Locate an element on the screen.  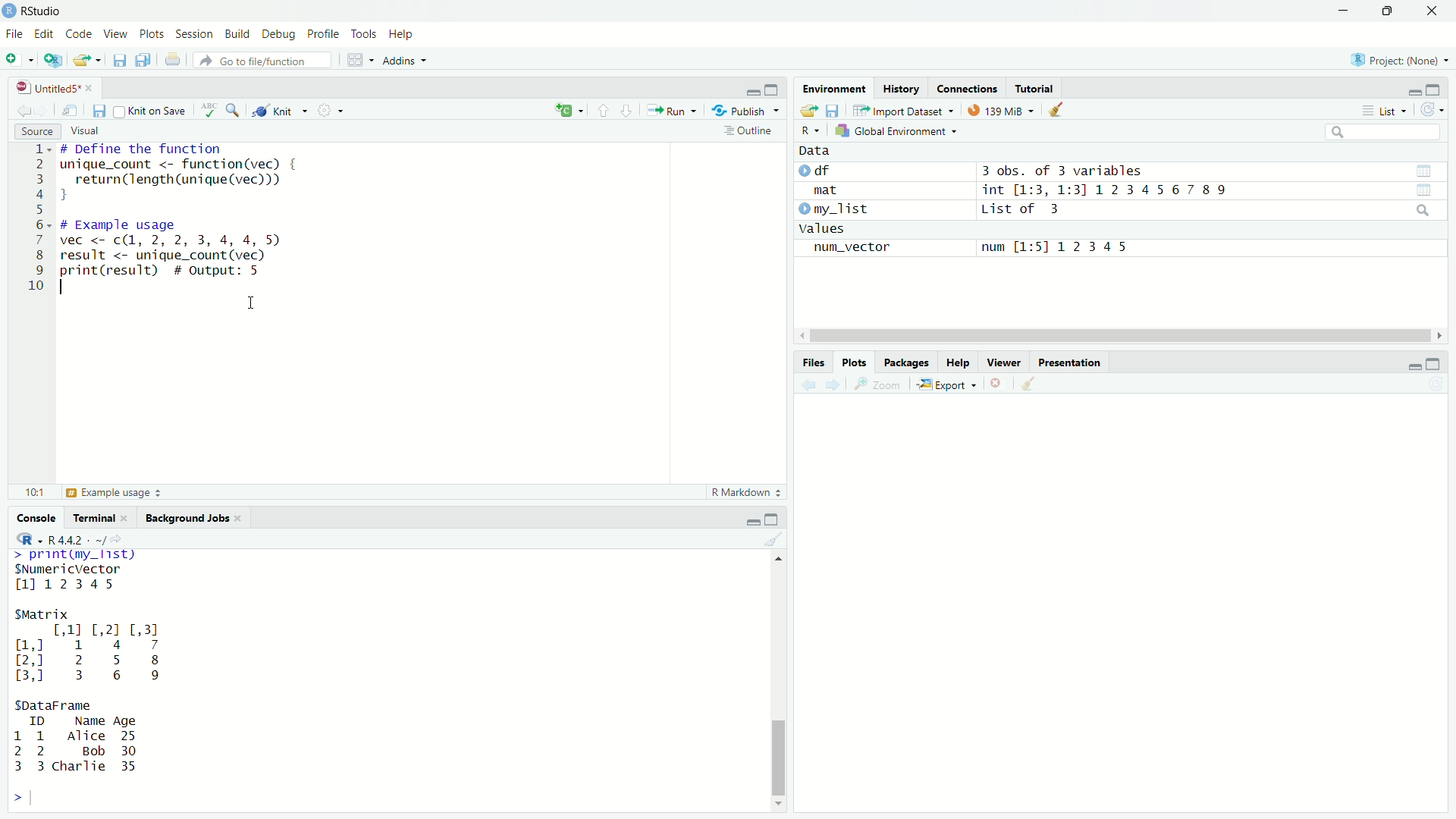
10:1 is located at coordinates (33, 493).